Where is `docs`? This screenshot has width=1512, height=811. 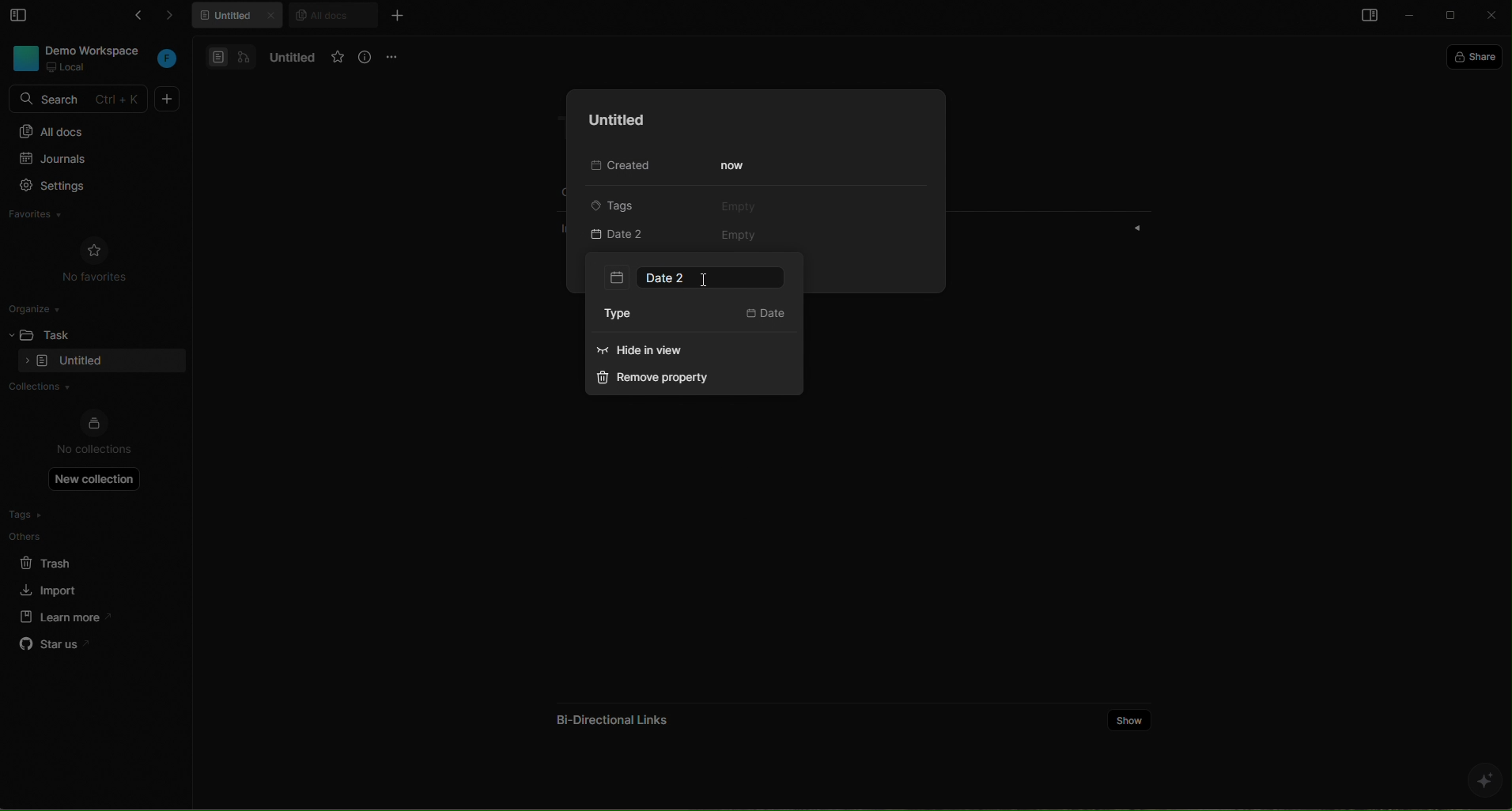
docs is located at coordinates (231, 56).